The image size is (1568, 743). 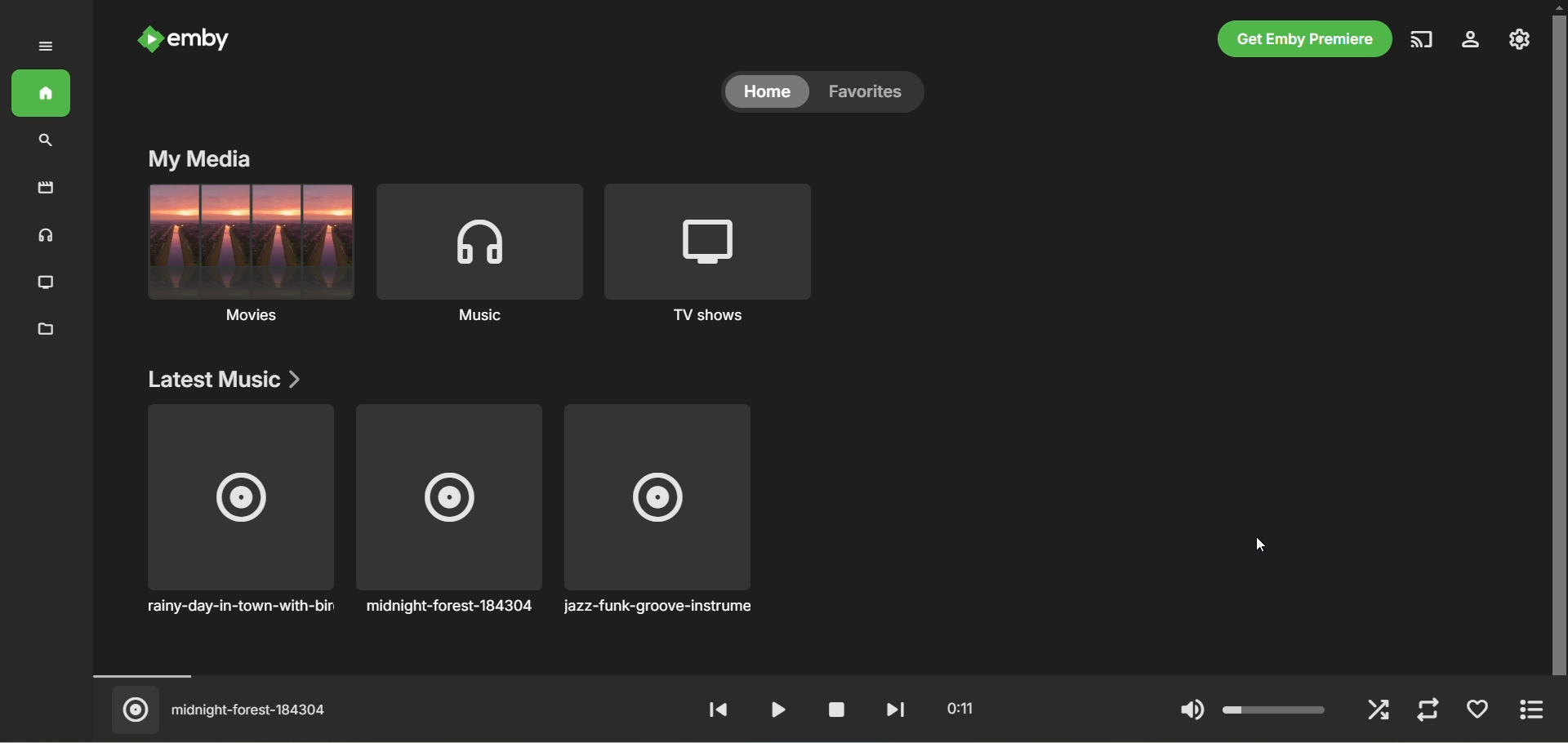 What do you see at coordinates (717, 711) in the screenshot?
I see `rewind` at bounding box center [717, 711].